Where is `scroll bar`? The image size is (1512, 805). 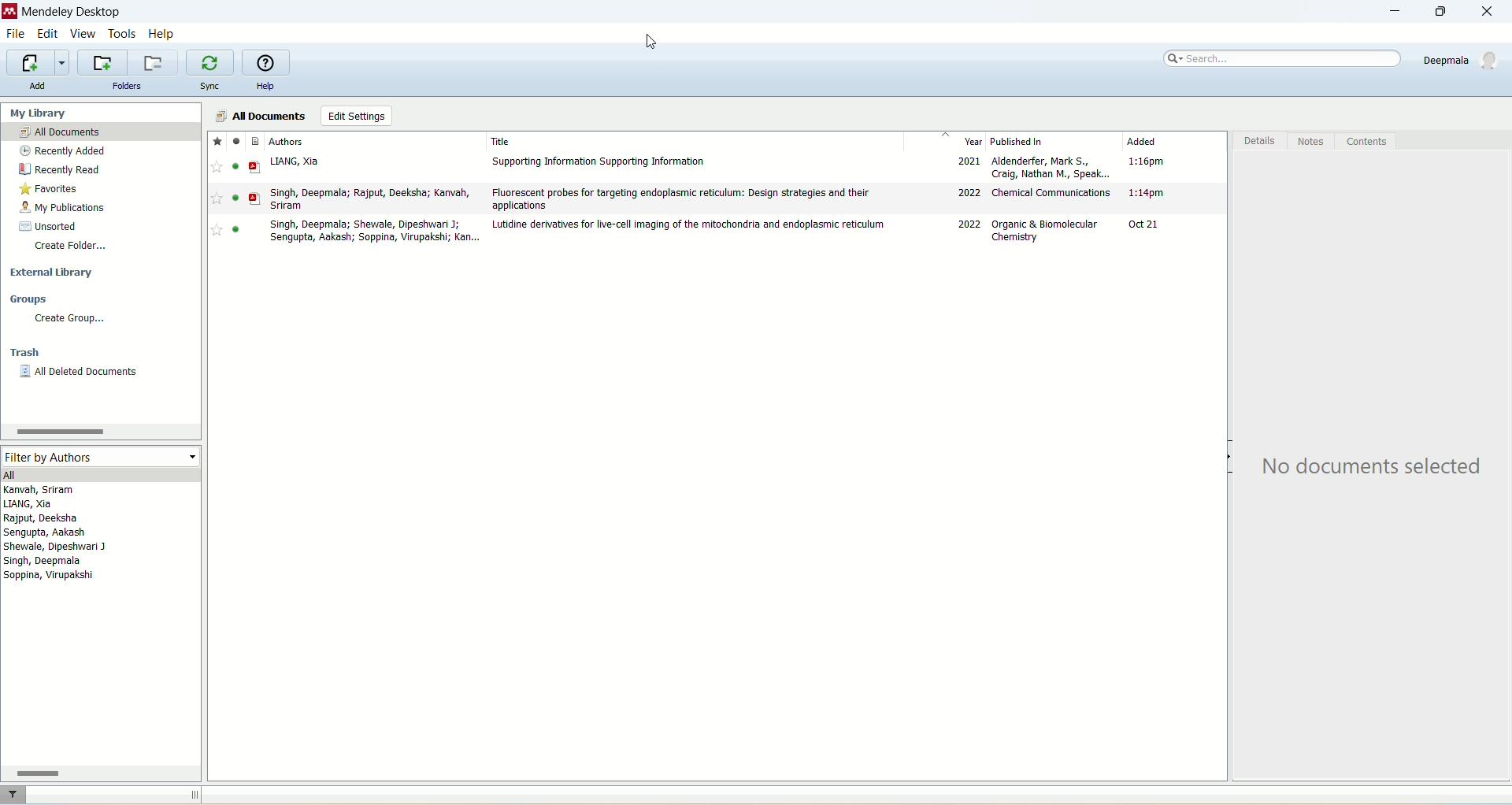 scroll bar is located at coordinates (99, 432).